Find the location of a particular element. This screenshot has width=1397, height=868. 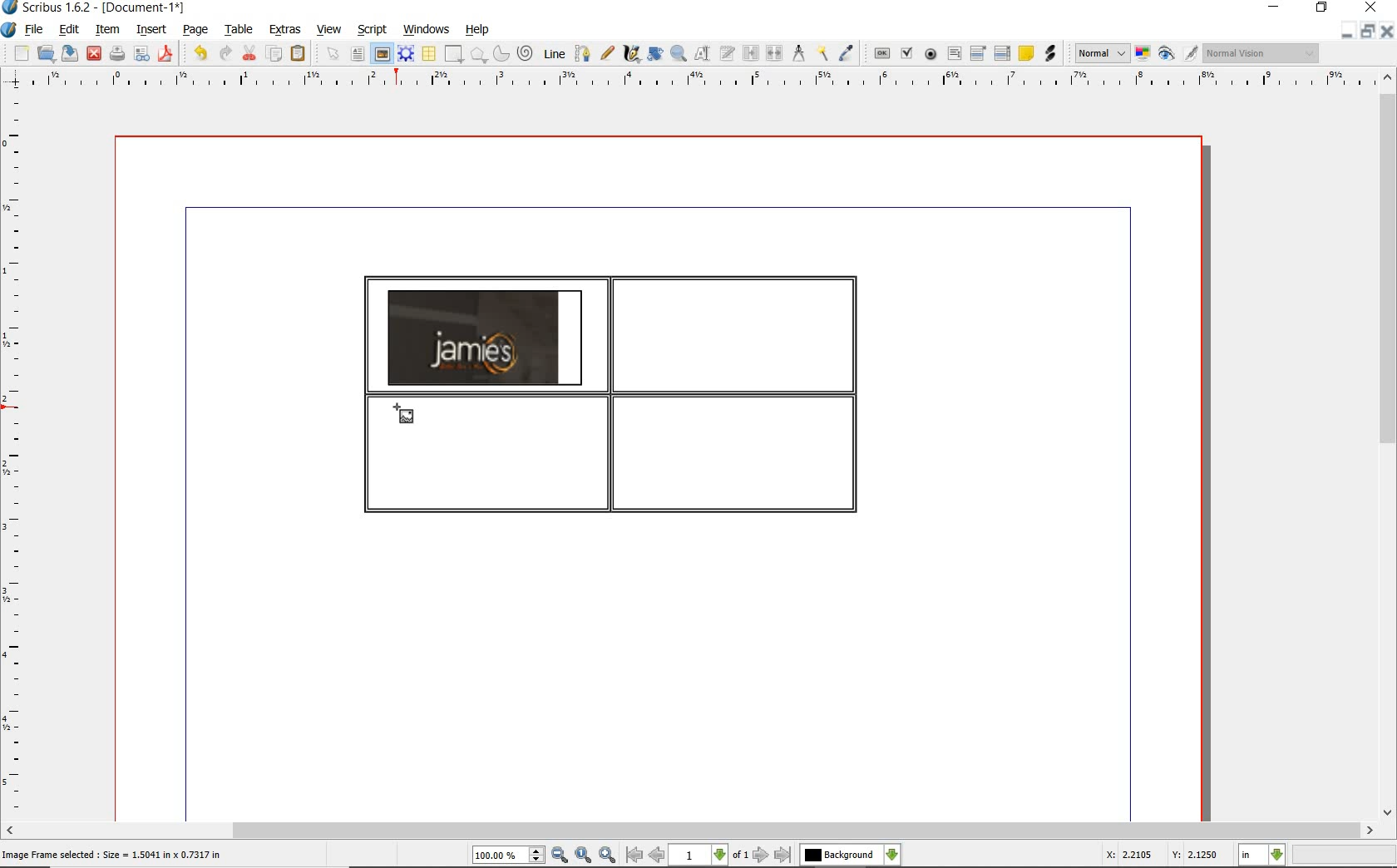

undo is located at coordinates (200, 53).